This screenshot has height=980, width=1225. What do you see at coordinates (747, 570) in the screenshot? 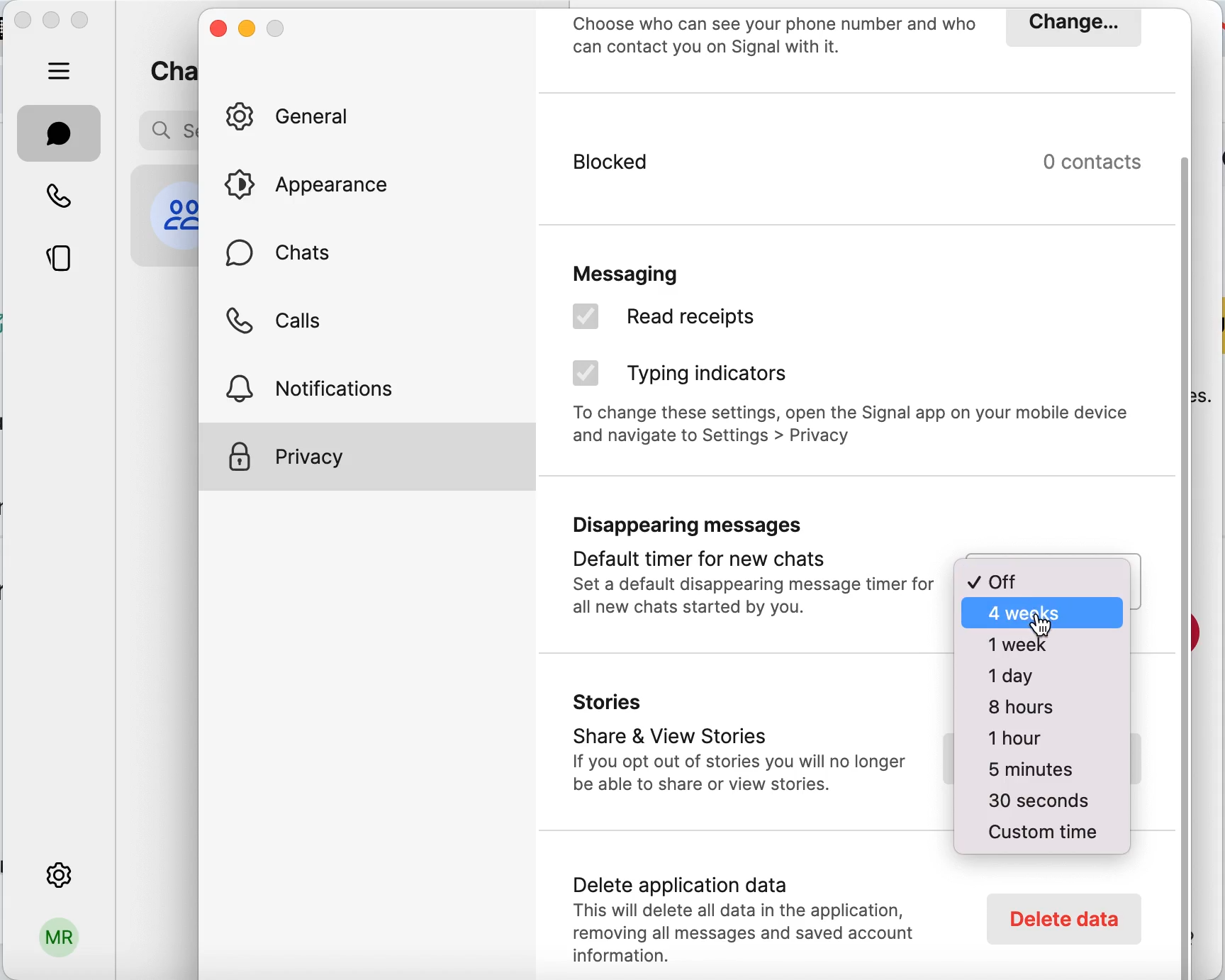
I see `diappearing messages` at bounding box center [747, 570].